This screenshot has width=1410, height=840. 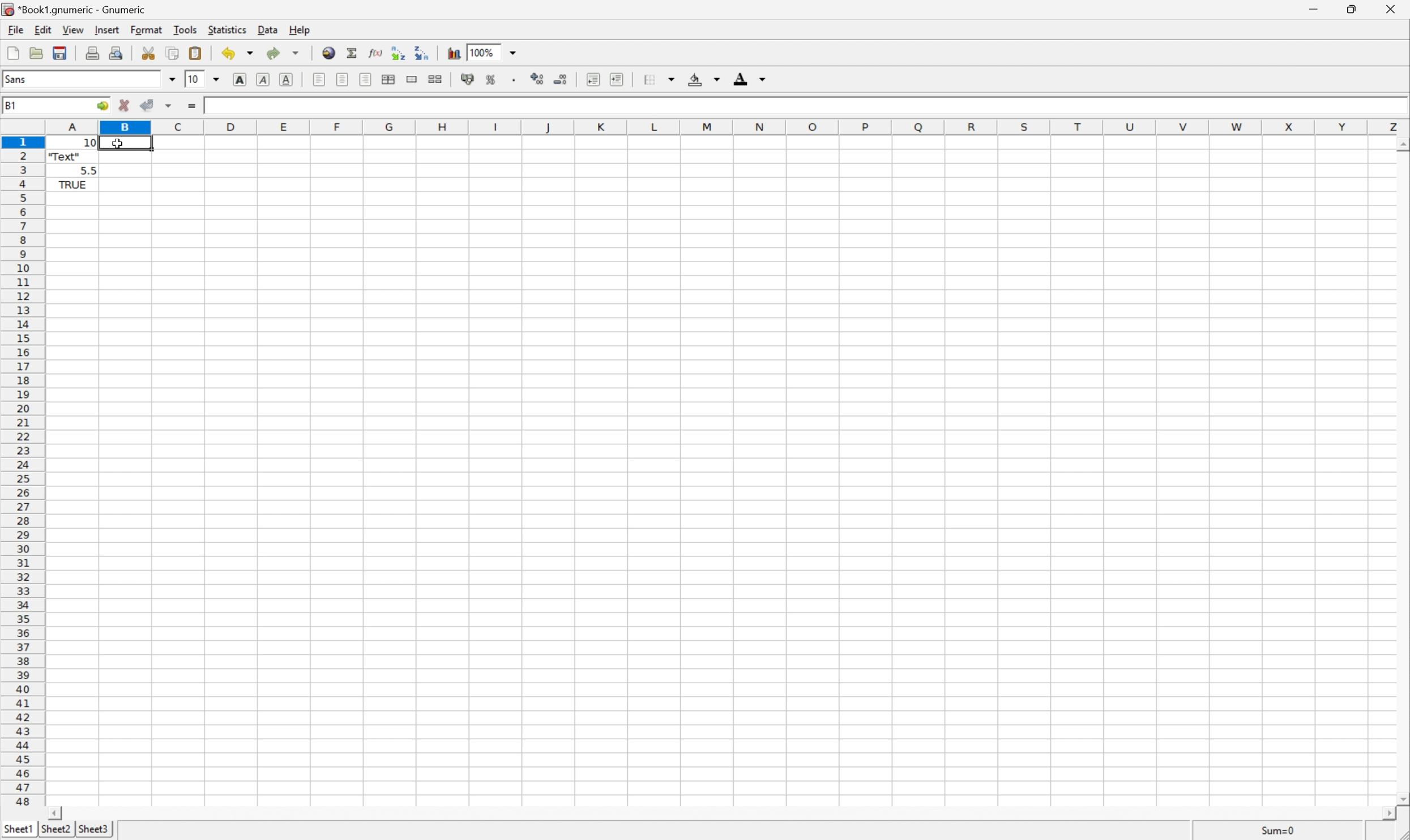 I want to click on Increase indent, and align the contents to the left, so click(x=619, y=79).